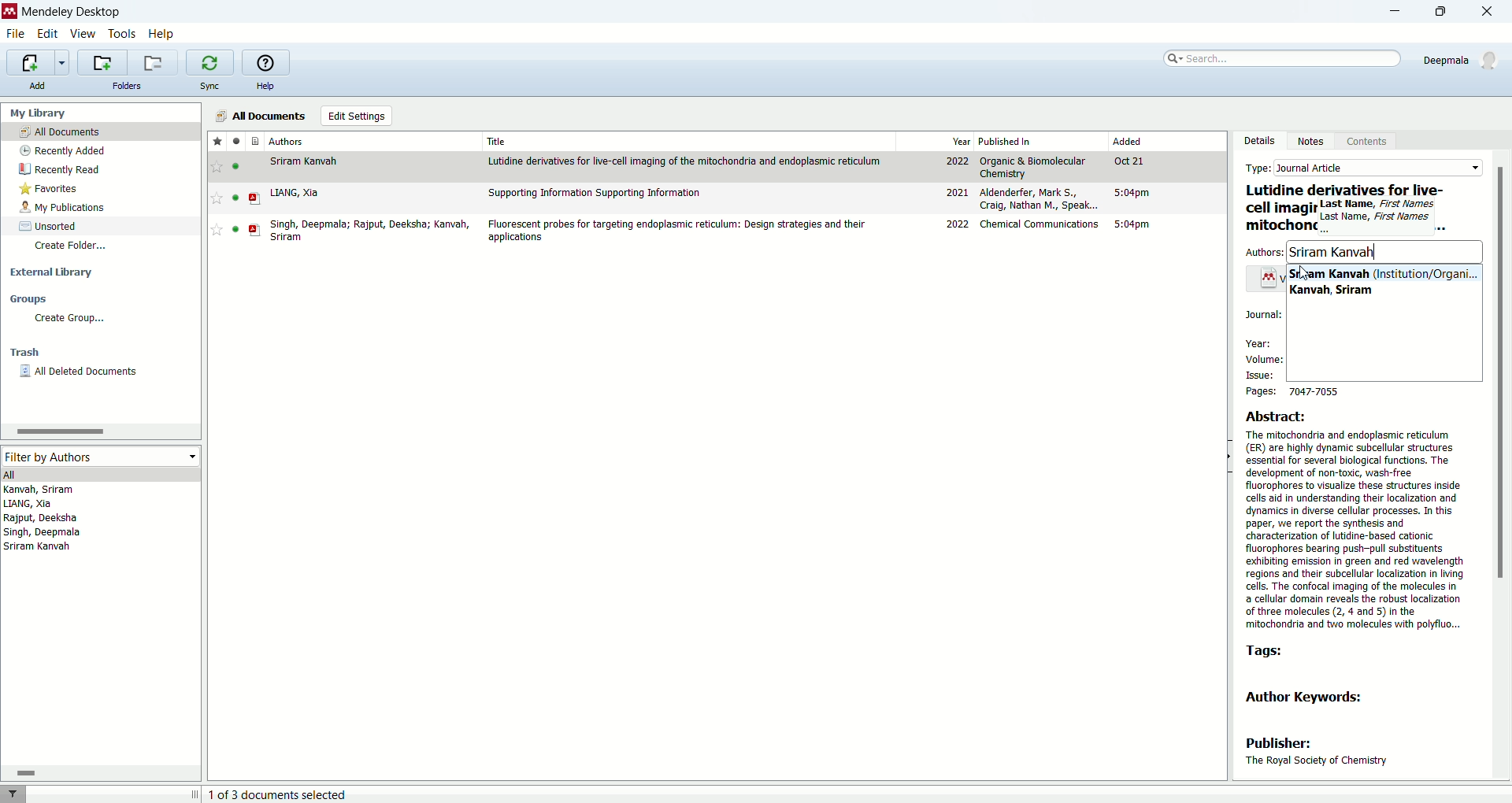 This screenshot has height=803, width=1512. Describe the element at coordinates (295, 193) in the screenshot. I see `LIANG, Xia` at that location.